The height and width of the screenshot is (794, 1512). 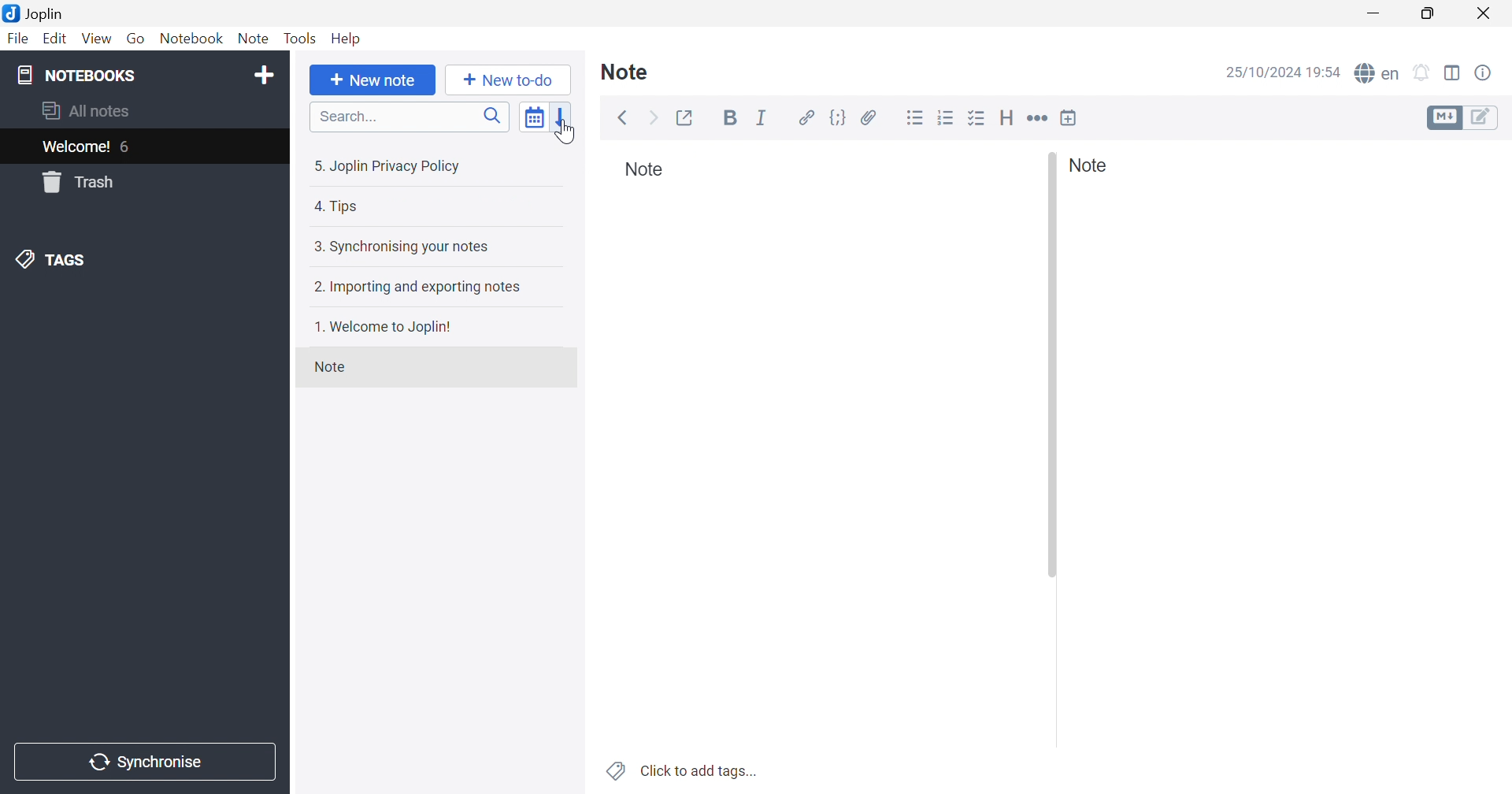 I want to click on 3. Synchronising, so click(x=400, y=247).